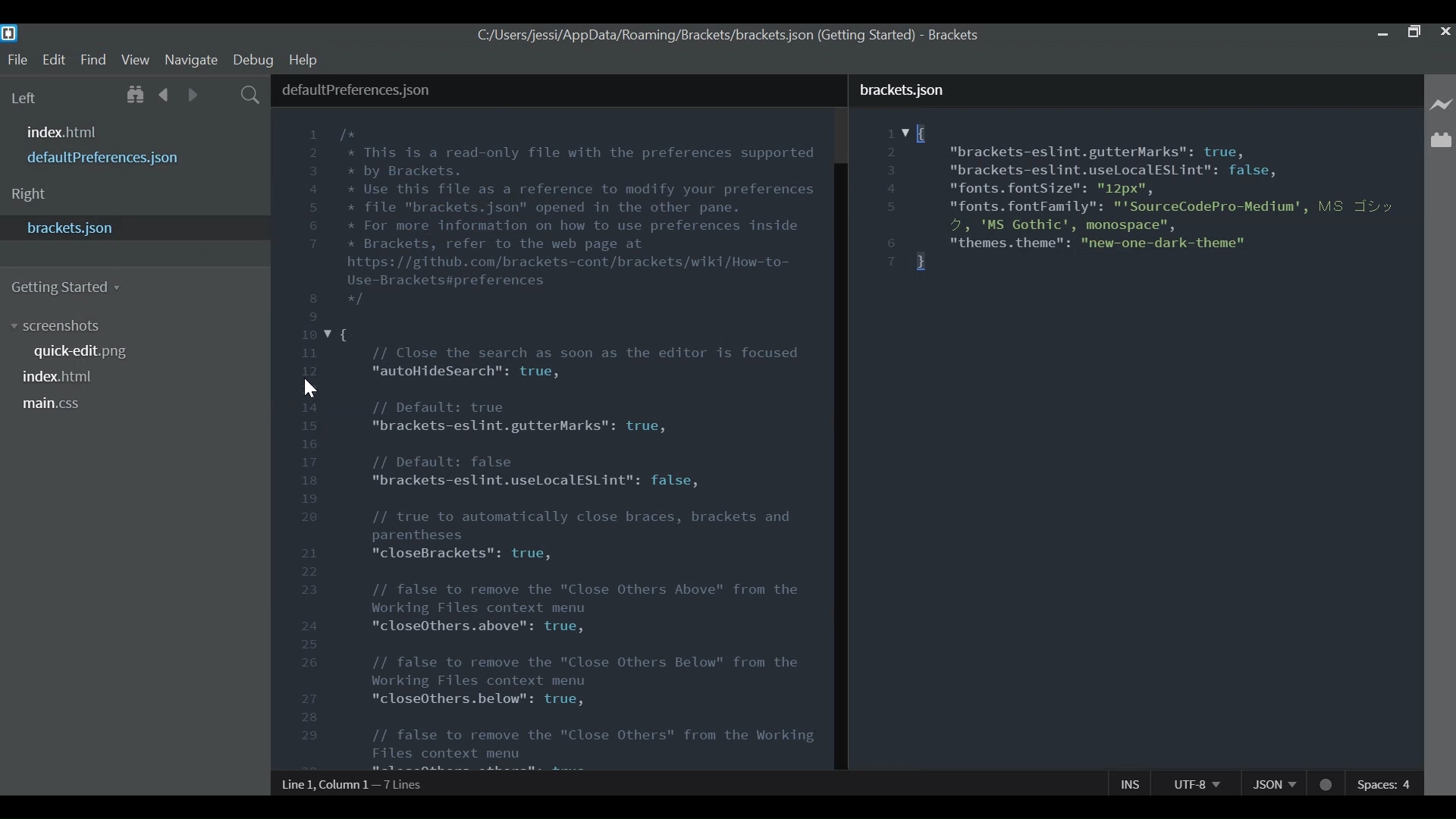 Image resolution: width=1456 pixels, height=819 pixels. Describe the element at coordinates (1159, 197) in the screenshot. I see `M |
"brackets-eslint.gutterMarks": true,
"brackets-eslint.useLocalESLint": false,
"fonts. fontSize": "12px",
"fonts. fontFamily": "'SourceCodePro-Medium', MS Jv
2, 'MS Gothic', monospace",
"themes. theme": "new-one-dark-theme"

B` at that location.